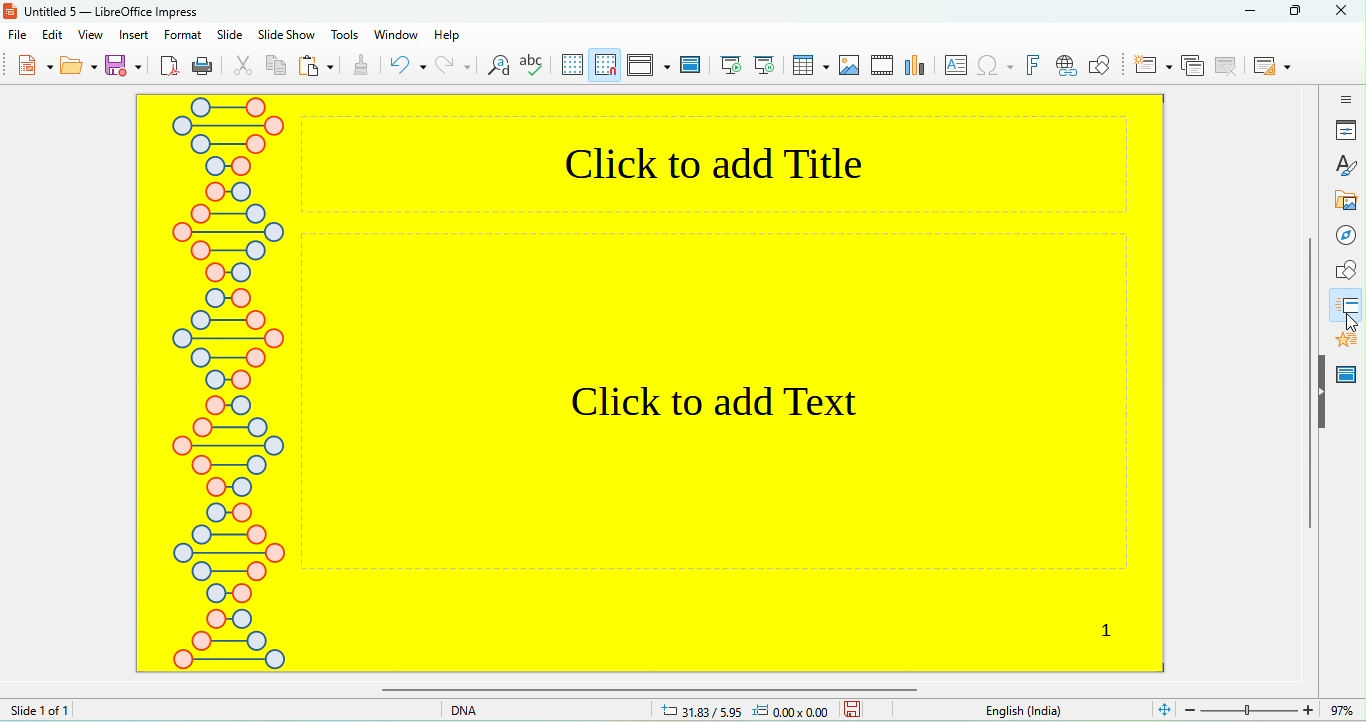  Describe the element at coordinates (225, 383) in the screenshot. I see `DNA theme on slide` at that location.